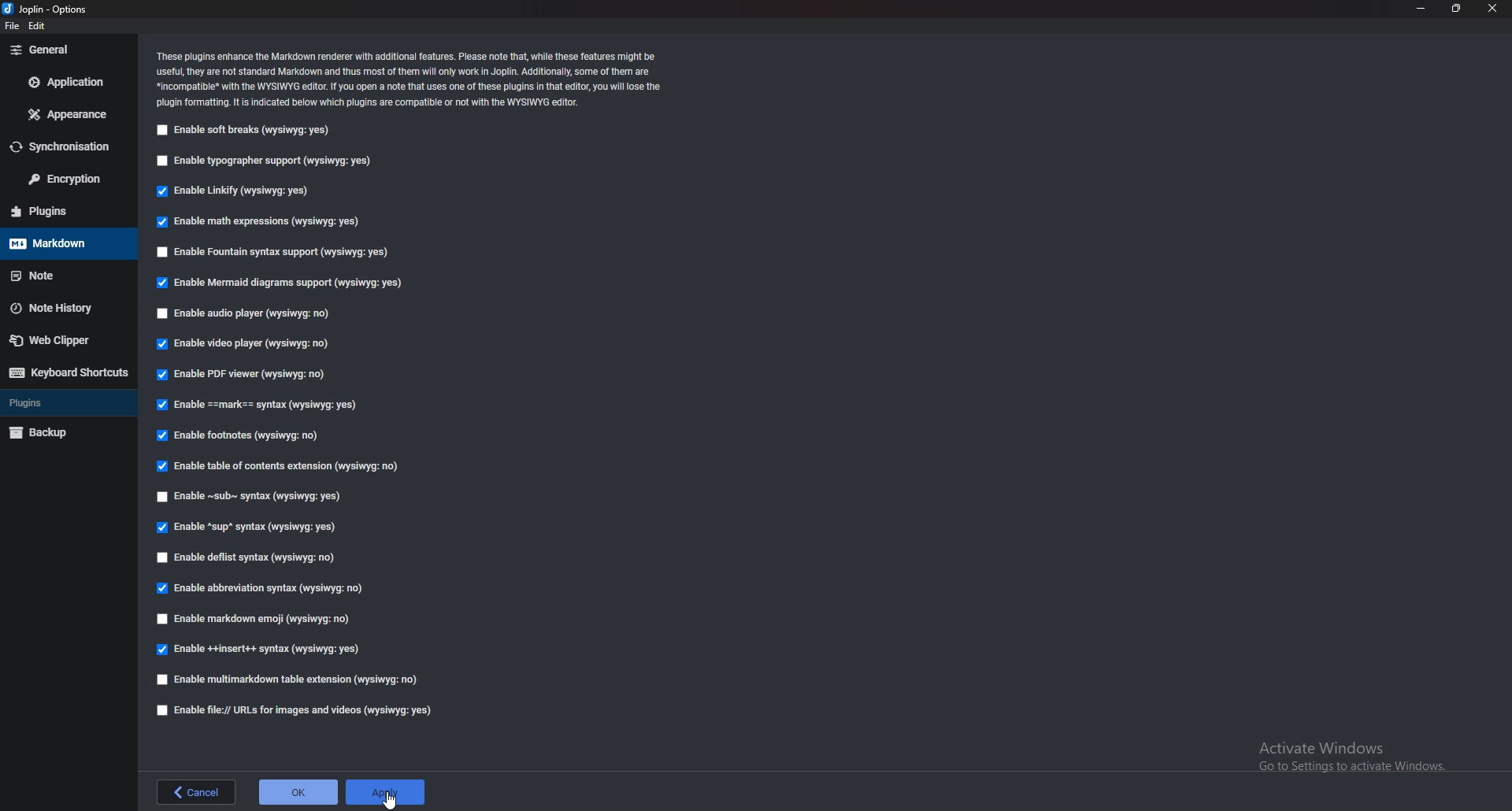 The width and height of the screenshot is (1512, 811). Describe the element at coordinates (13, 26) in the screenshot. I see `file` at that location.